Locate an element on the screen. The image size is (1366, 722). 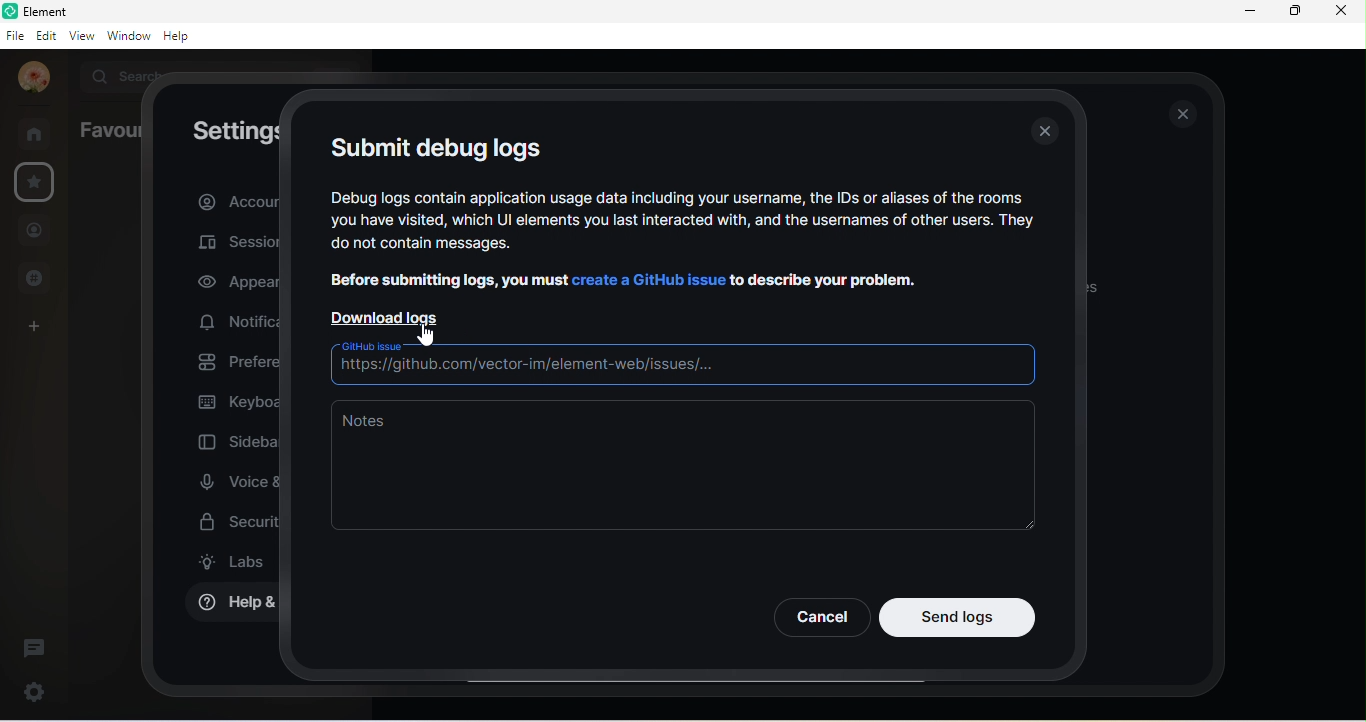
window is located at coordinates (127, 36).